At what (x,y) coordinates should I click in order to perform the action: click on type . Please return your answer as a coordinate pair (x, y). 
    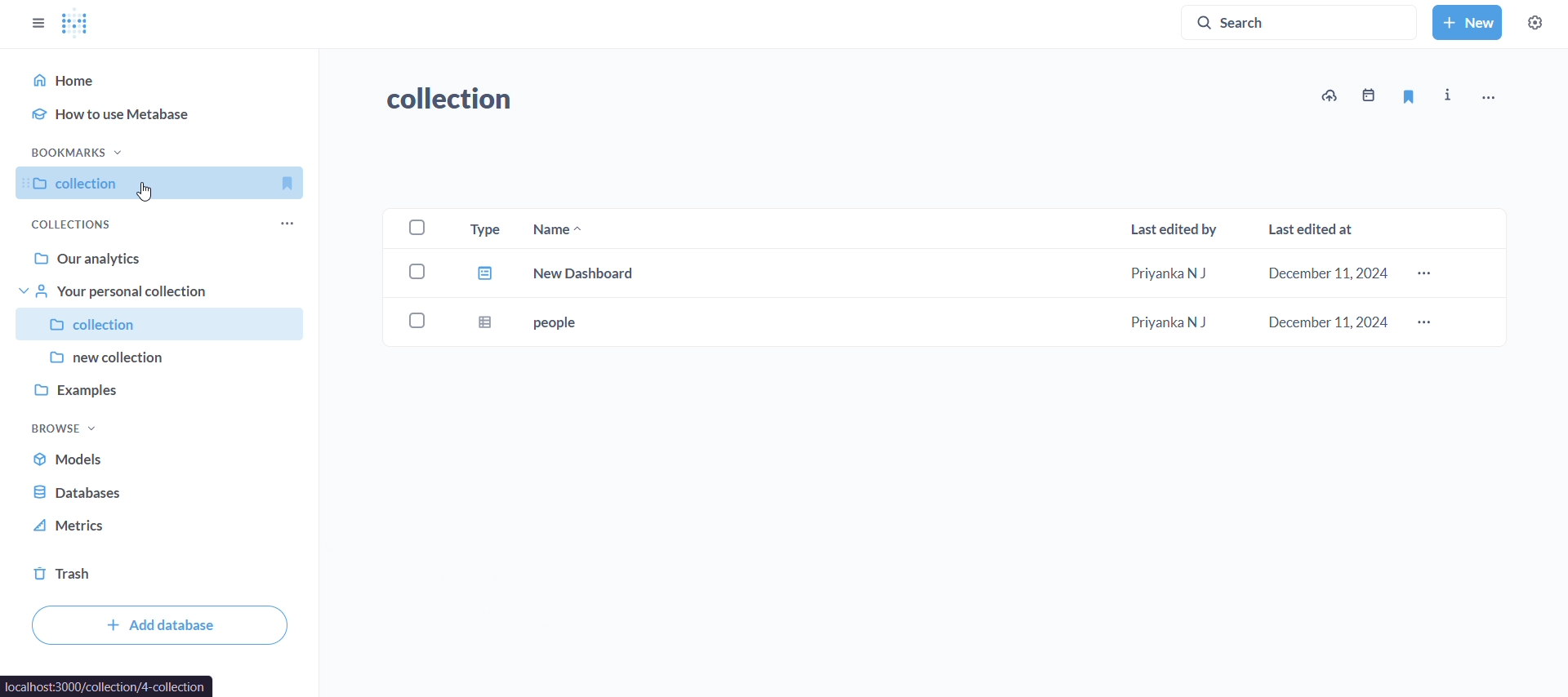
    Looking at the image, I should click on (484, 274).